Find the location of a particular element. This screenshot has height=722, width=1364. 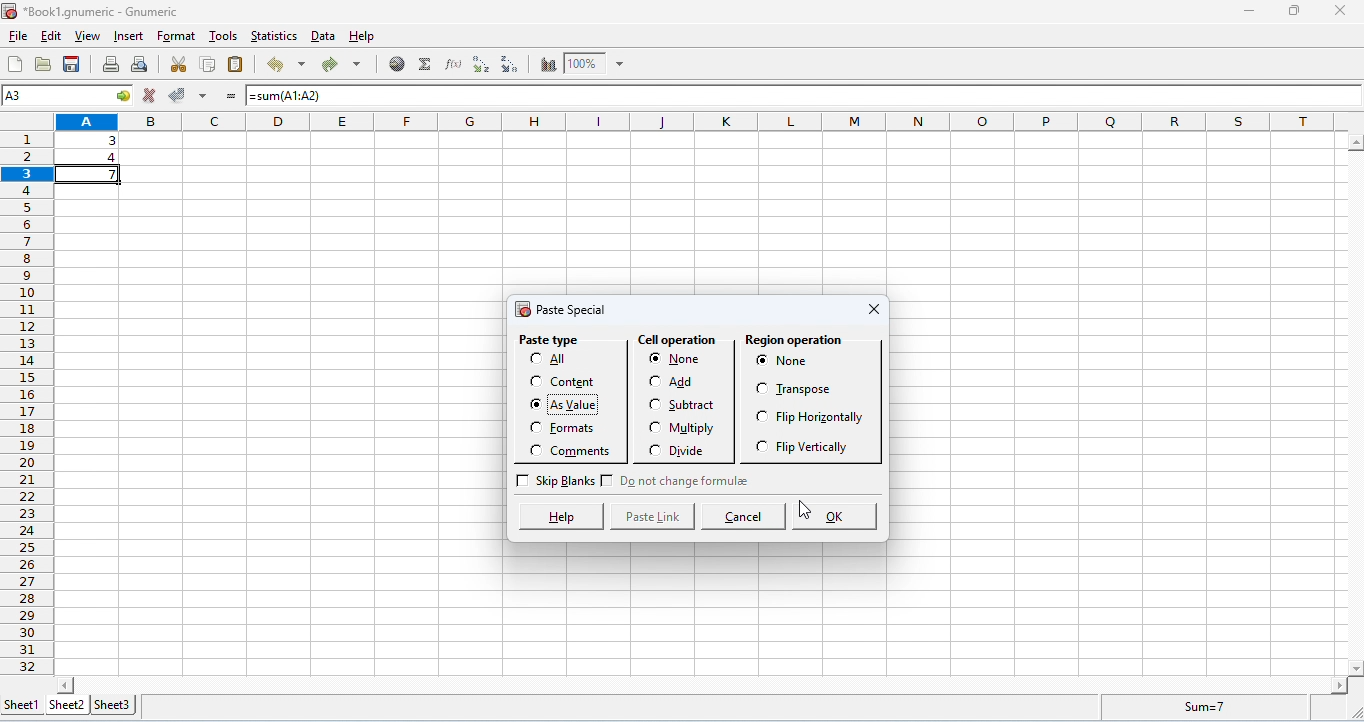

save is located at coordinates (72, 64).